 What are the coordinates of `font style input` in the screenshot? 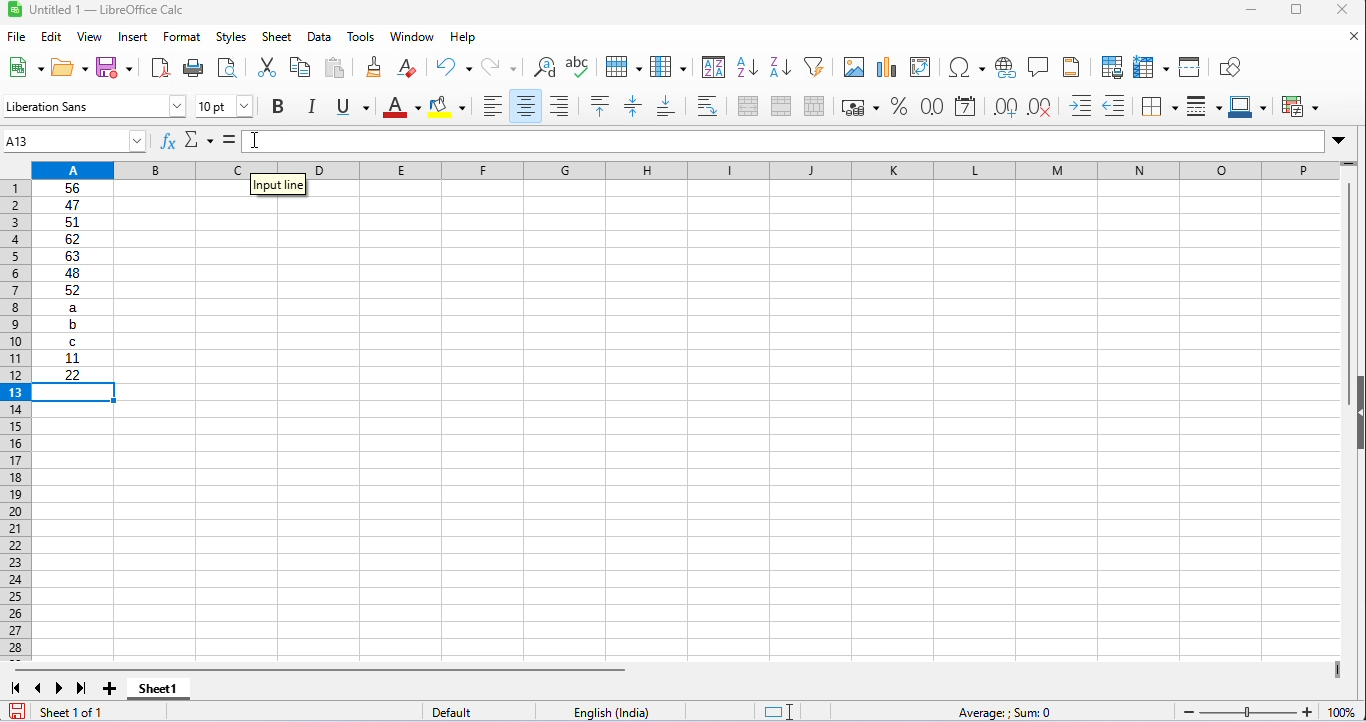 It's located at (84, 106).